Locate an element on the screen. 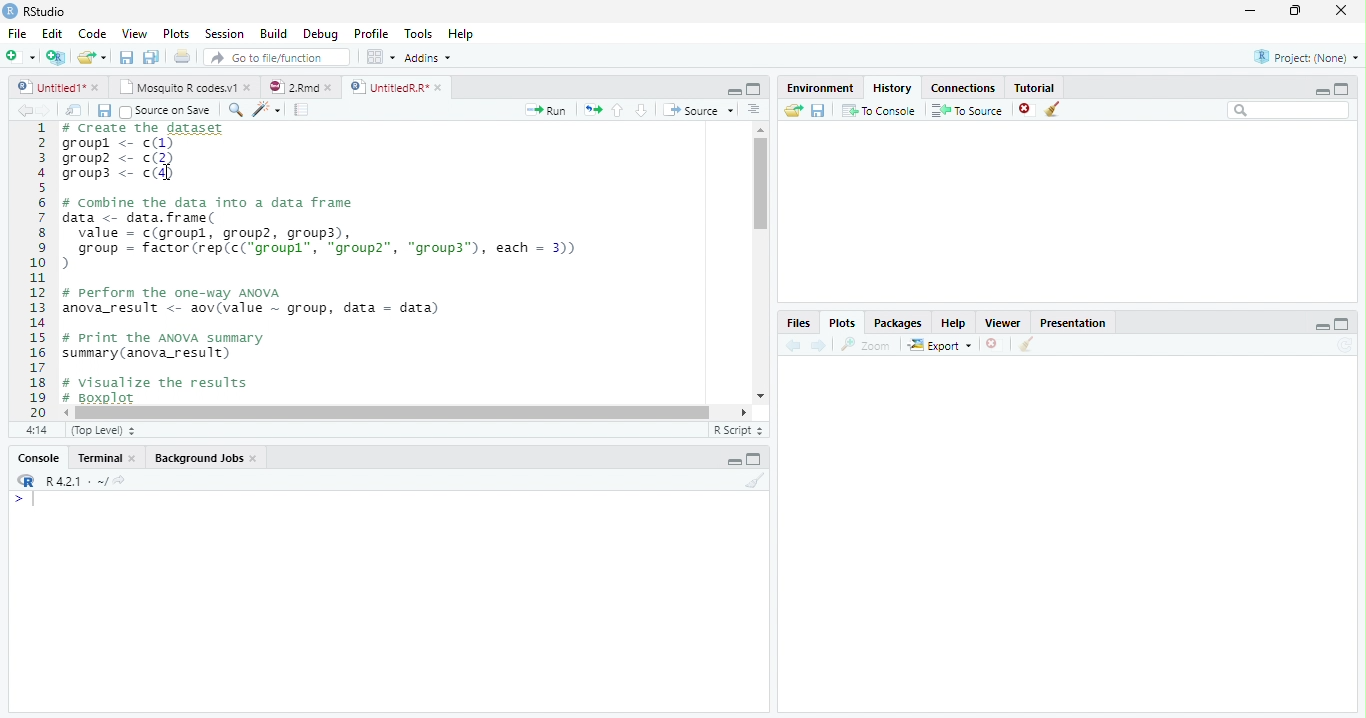 This screenshot has width=1366, height=718. 1:1 is located at coordinates (34, 430).